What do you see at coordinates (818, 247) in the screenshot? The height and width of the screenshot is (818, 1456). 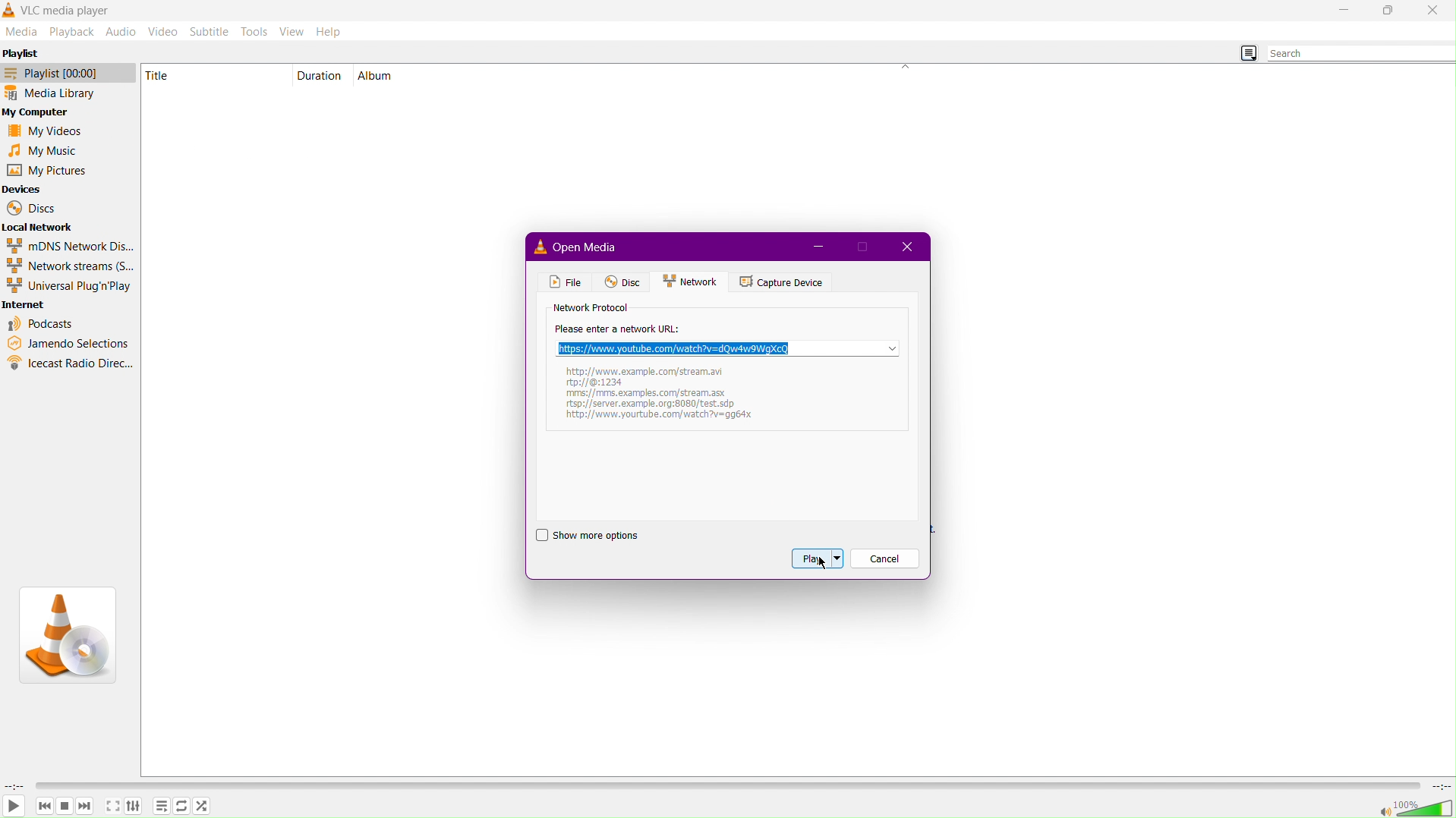 I see `Minimize` at bounding box center [818, 247].